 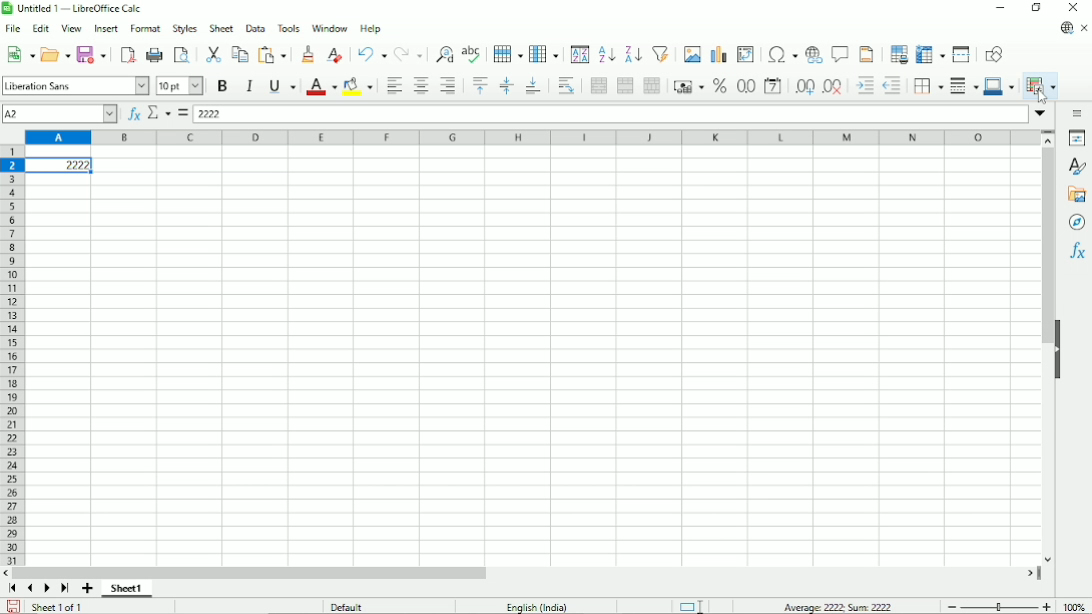 I want to click on Scroll to first sheet, so click(x=12, y=588).